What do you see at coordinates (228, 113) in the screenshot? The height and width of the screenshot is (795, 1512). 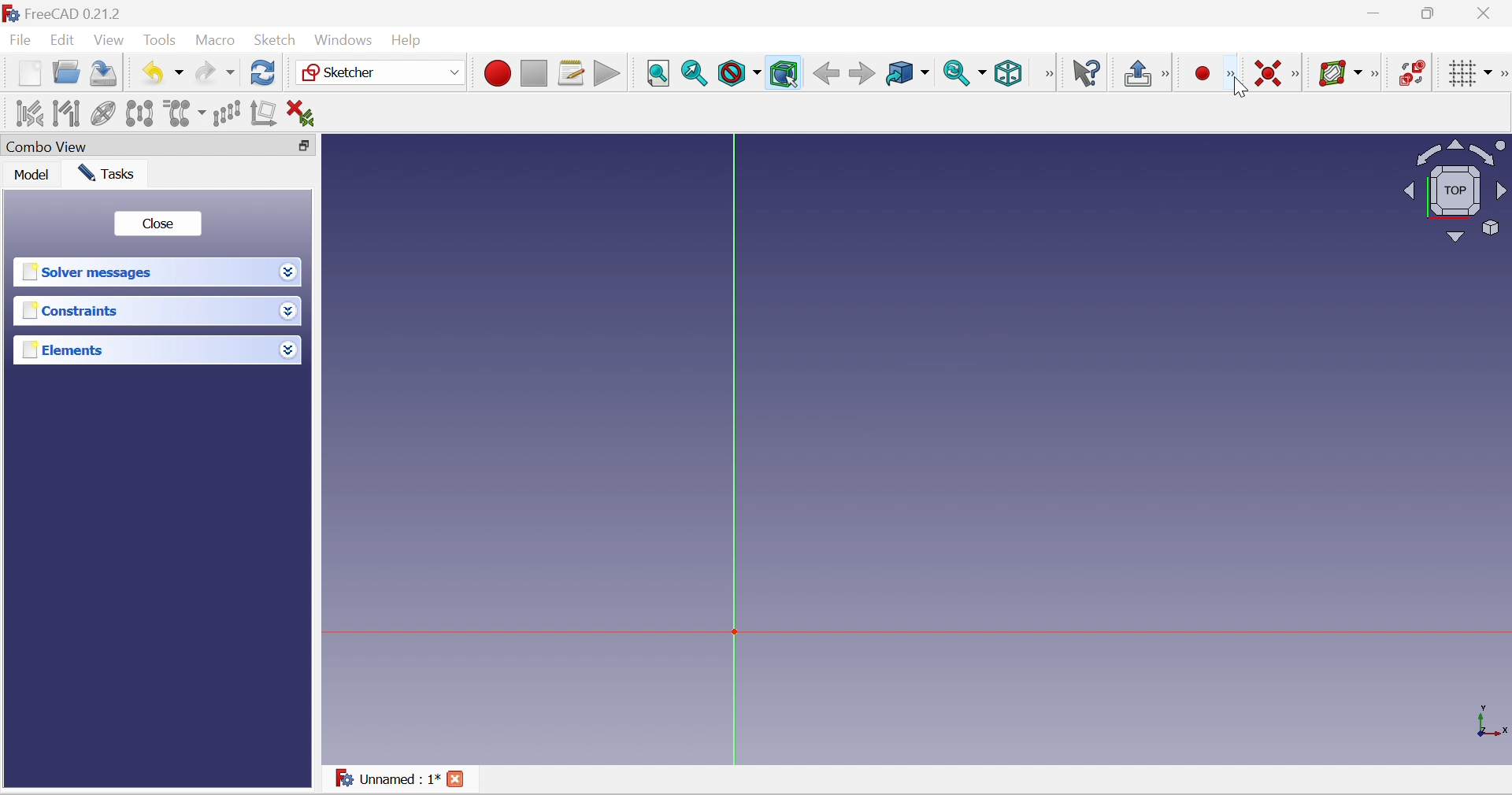 I see `Rectangular array` at bounding box center [228, 113].